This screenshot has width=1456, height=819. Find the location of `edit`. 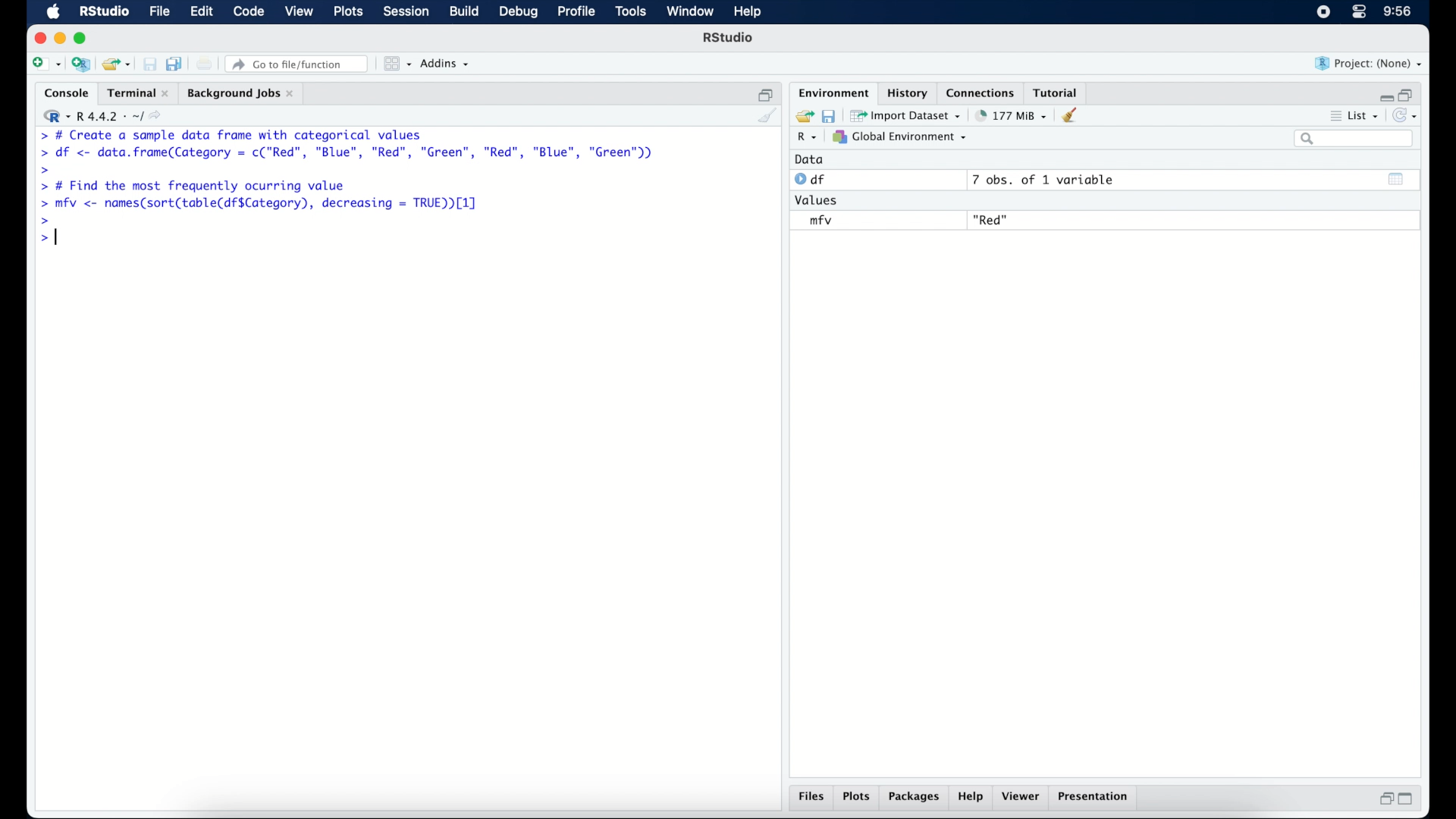

edit is located at coordinates (202, 12).